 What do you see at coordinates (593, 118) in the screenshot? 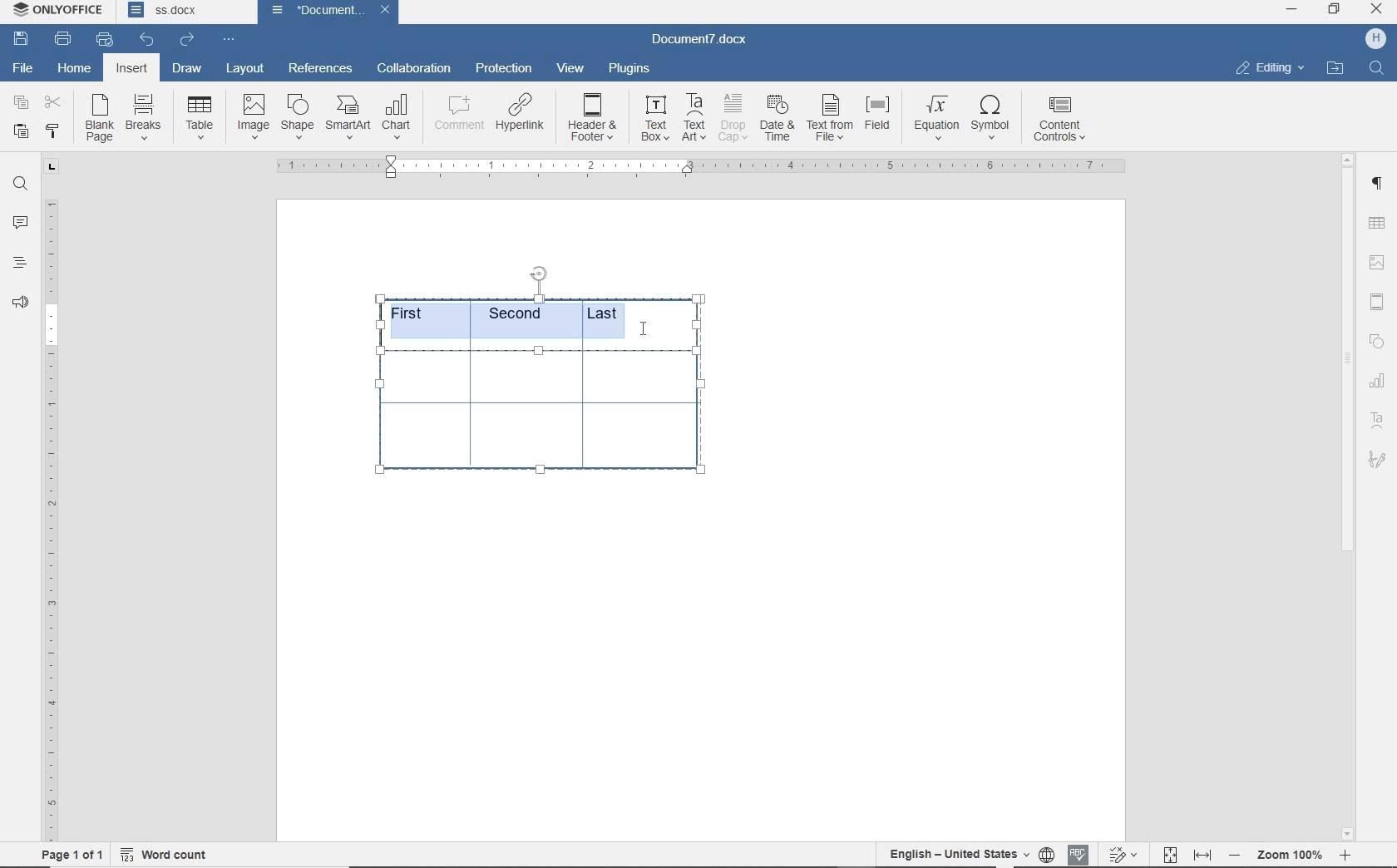
I see `header & footer` at bounding box center [593, 118].